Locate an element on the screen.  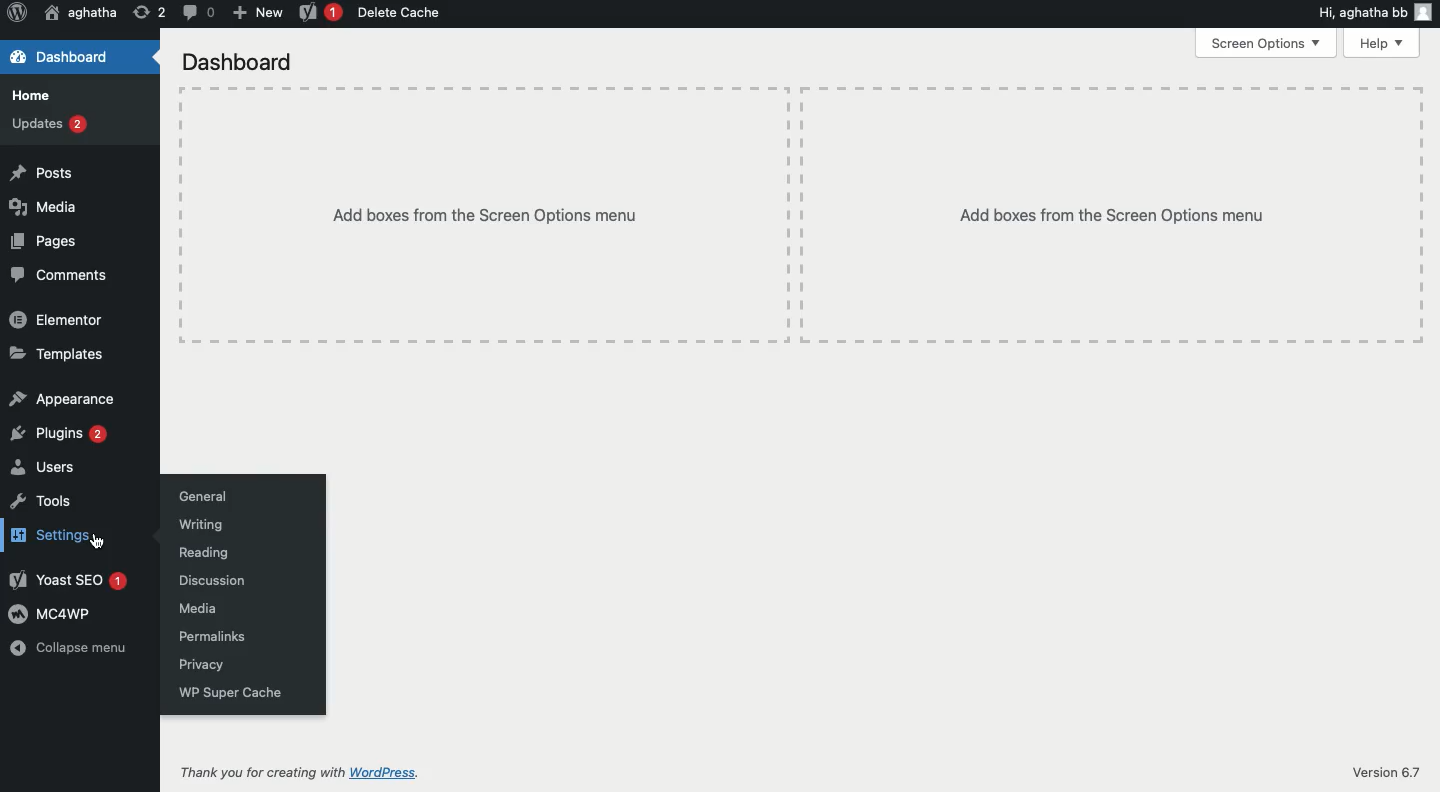
Version 6.7 is located at coordinates (1387, 769).